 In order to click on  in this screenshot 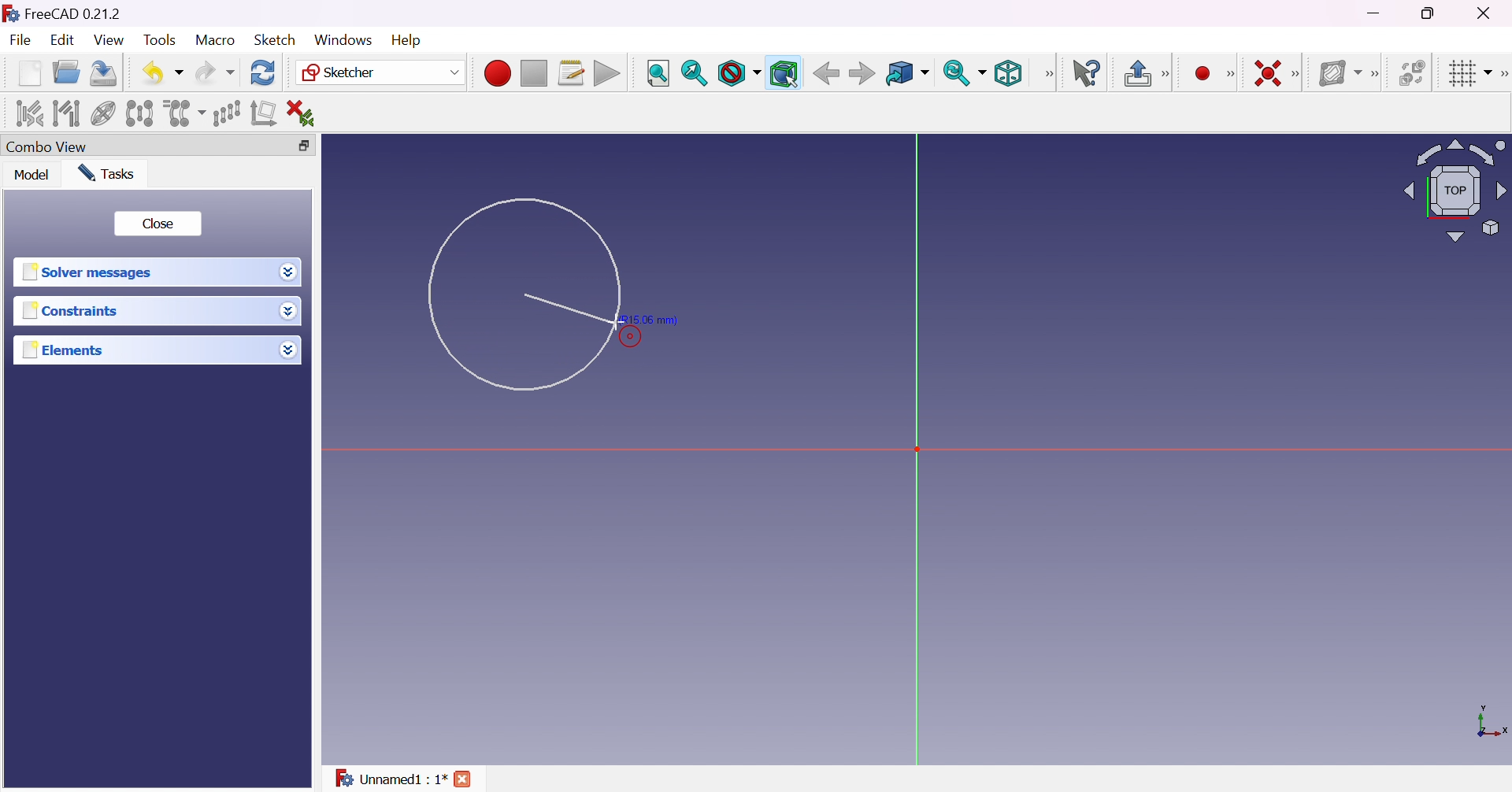, I will do `click(965, 74)`.